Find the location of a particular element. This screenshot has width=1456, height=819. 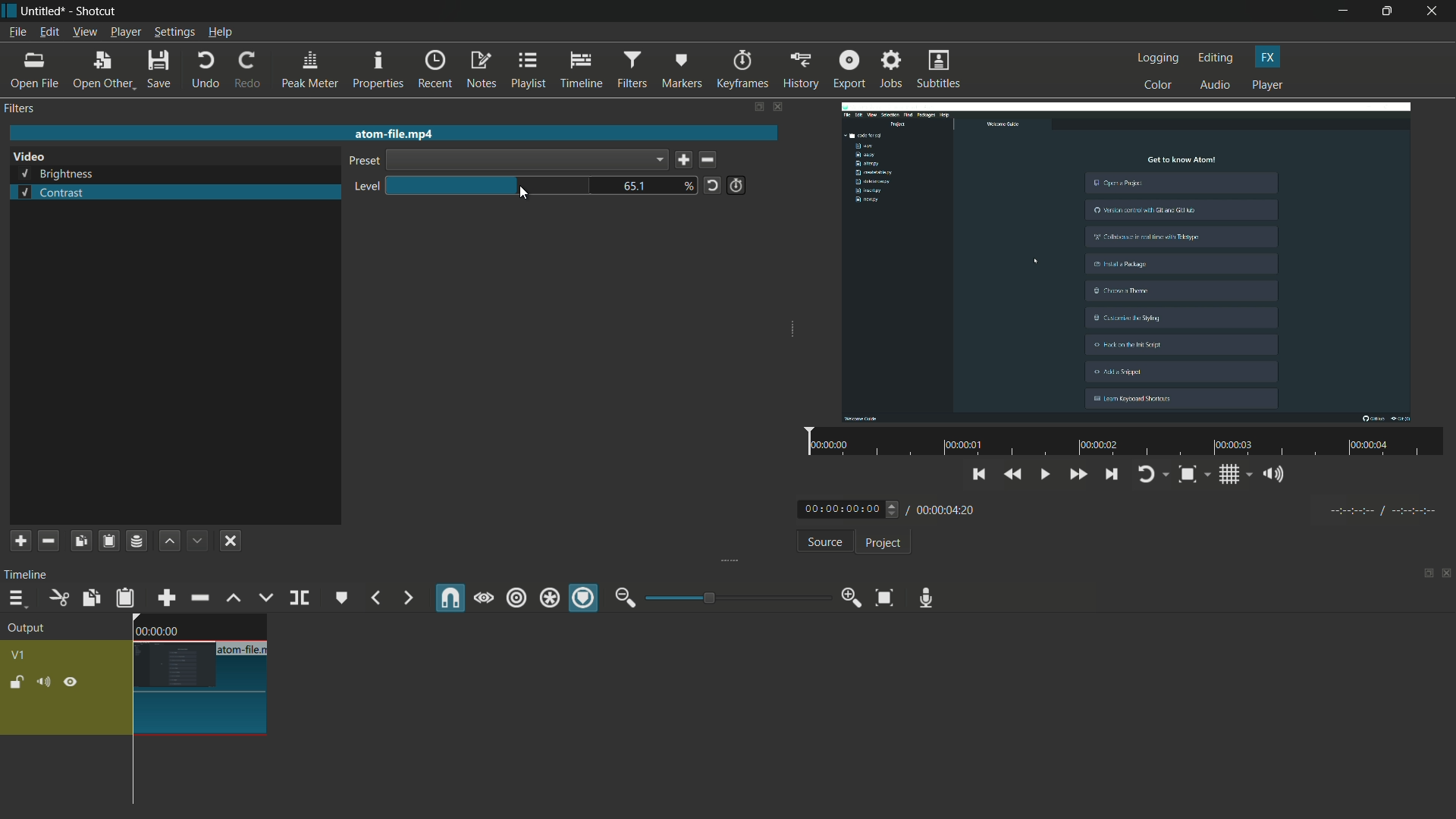

help menu is located at coordinates (221, 33).